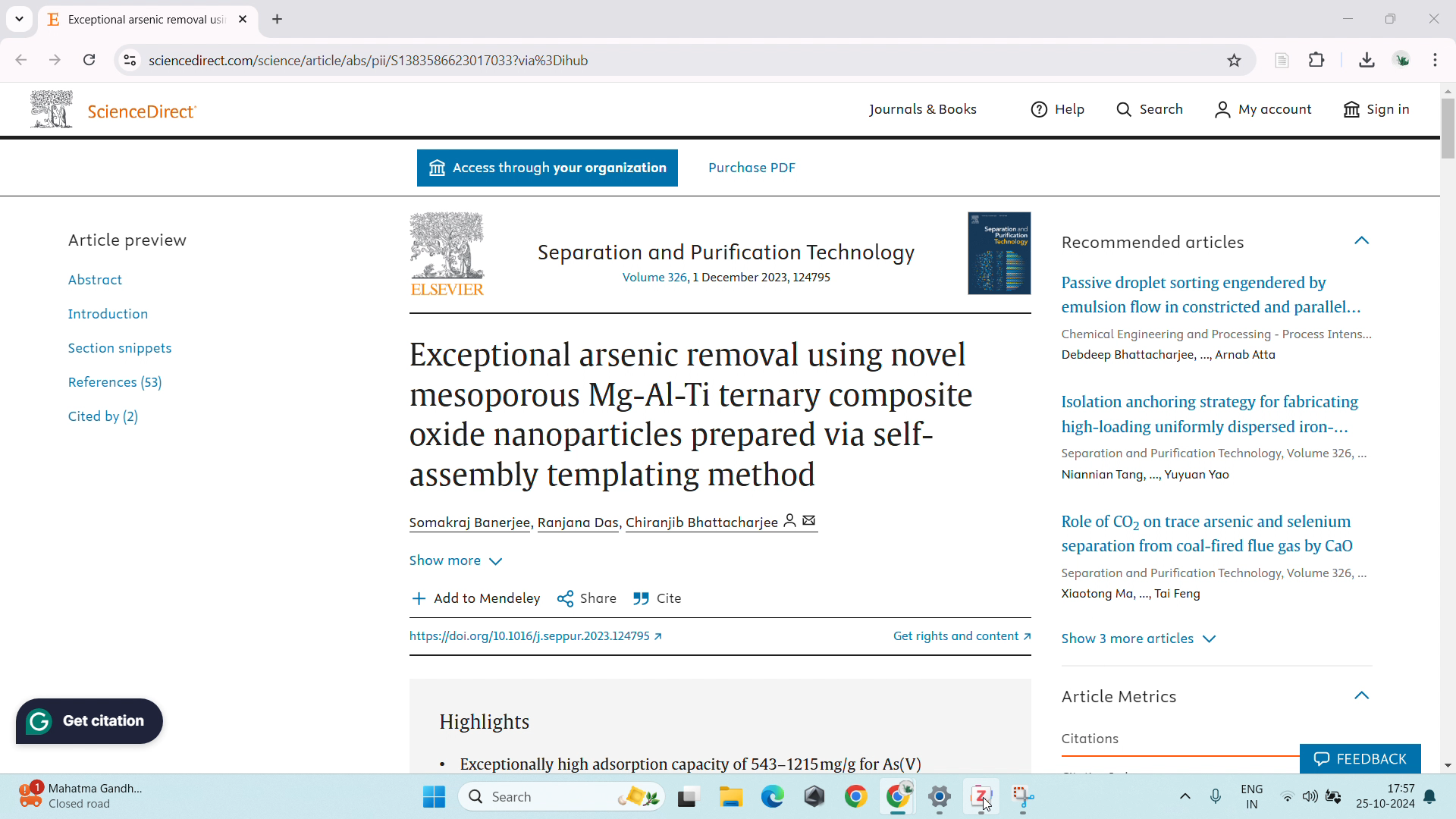 Image resolution: width=1456 pixels, height=819 pixels. What do you see at coordinates (693, 416) in the screenshot?
I see `Exceptional arsenic removal using novel mesoporous Mg-Al-Ti ternary composite oxide nanoparticles prepared via self-assembly templating method` at bounding box center [693, 416].